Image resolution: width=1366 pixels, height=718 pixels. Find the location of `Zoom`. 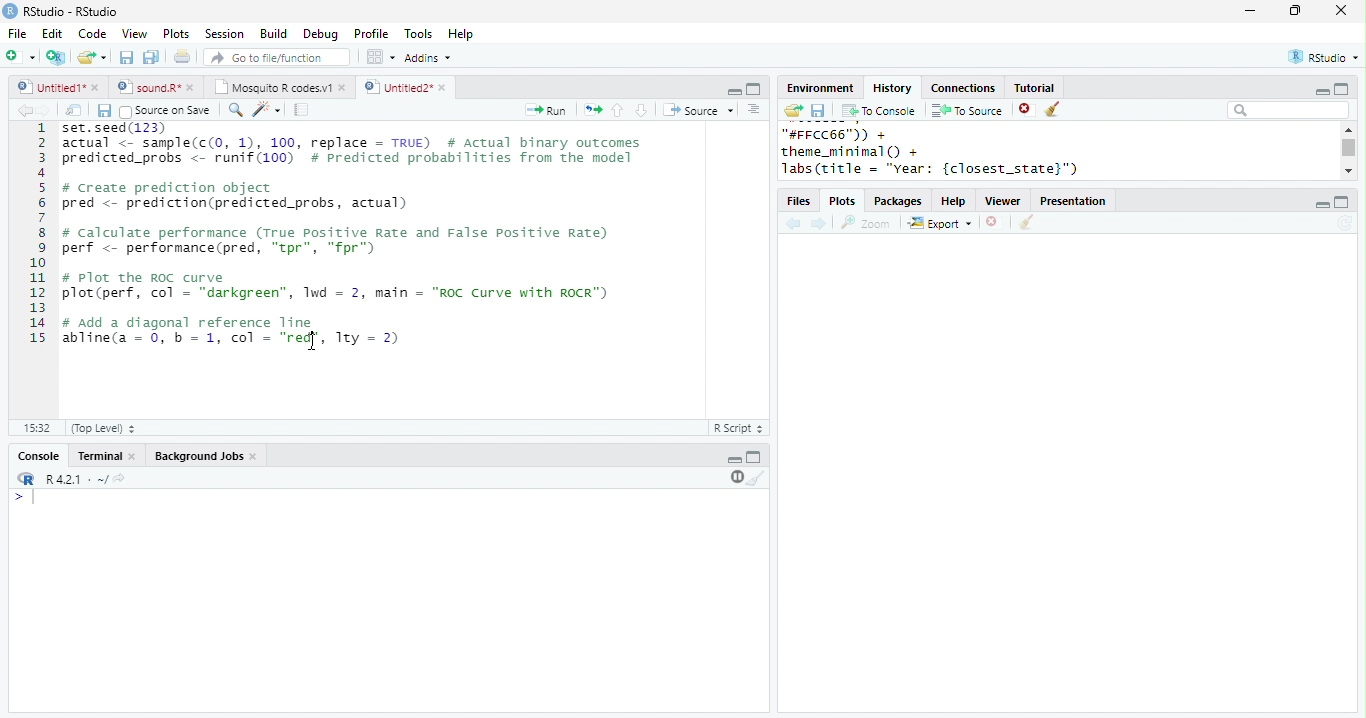

Zoom is located at coordinates (866, 223).